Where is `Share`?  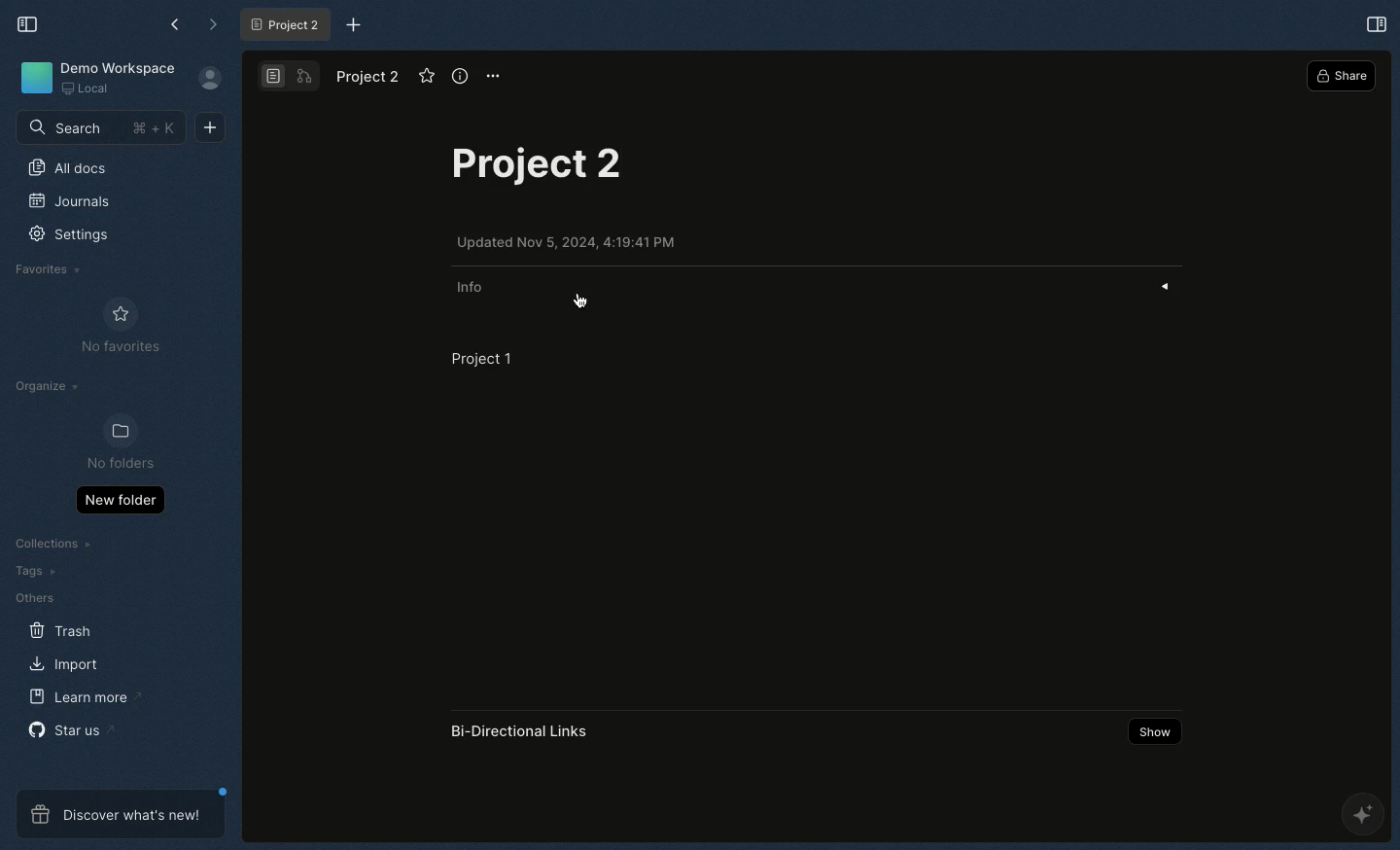
Share is located at coordinates (1342, 75).